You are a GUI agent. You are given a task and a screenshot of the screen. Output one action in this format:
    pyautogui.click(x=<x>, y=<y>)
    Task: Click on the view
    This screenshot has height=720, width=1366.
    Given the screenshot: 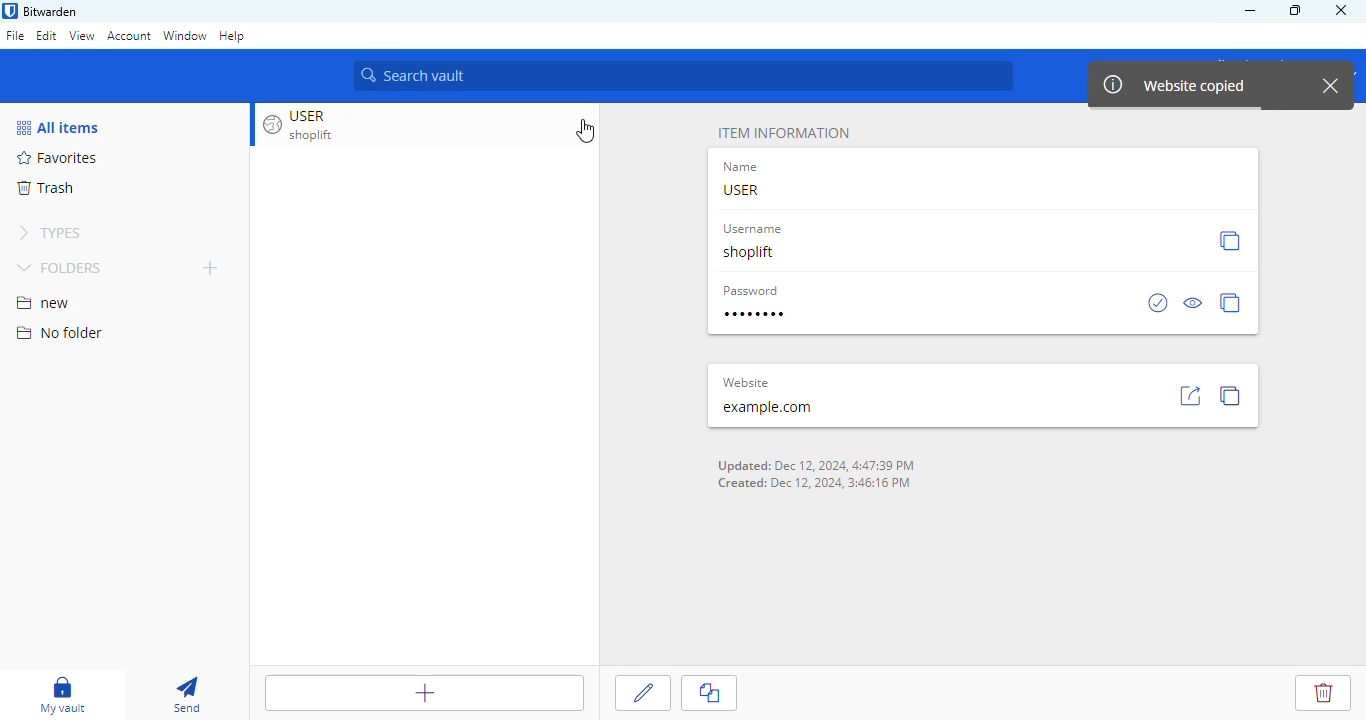 What is the action you would take?
    pyautogui.click(x=82, y=36)
    